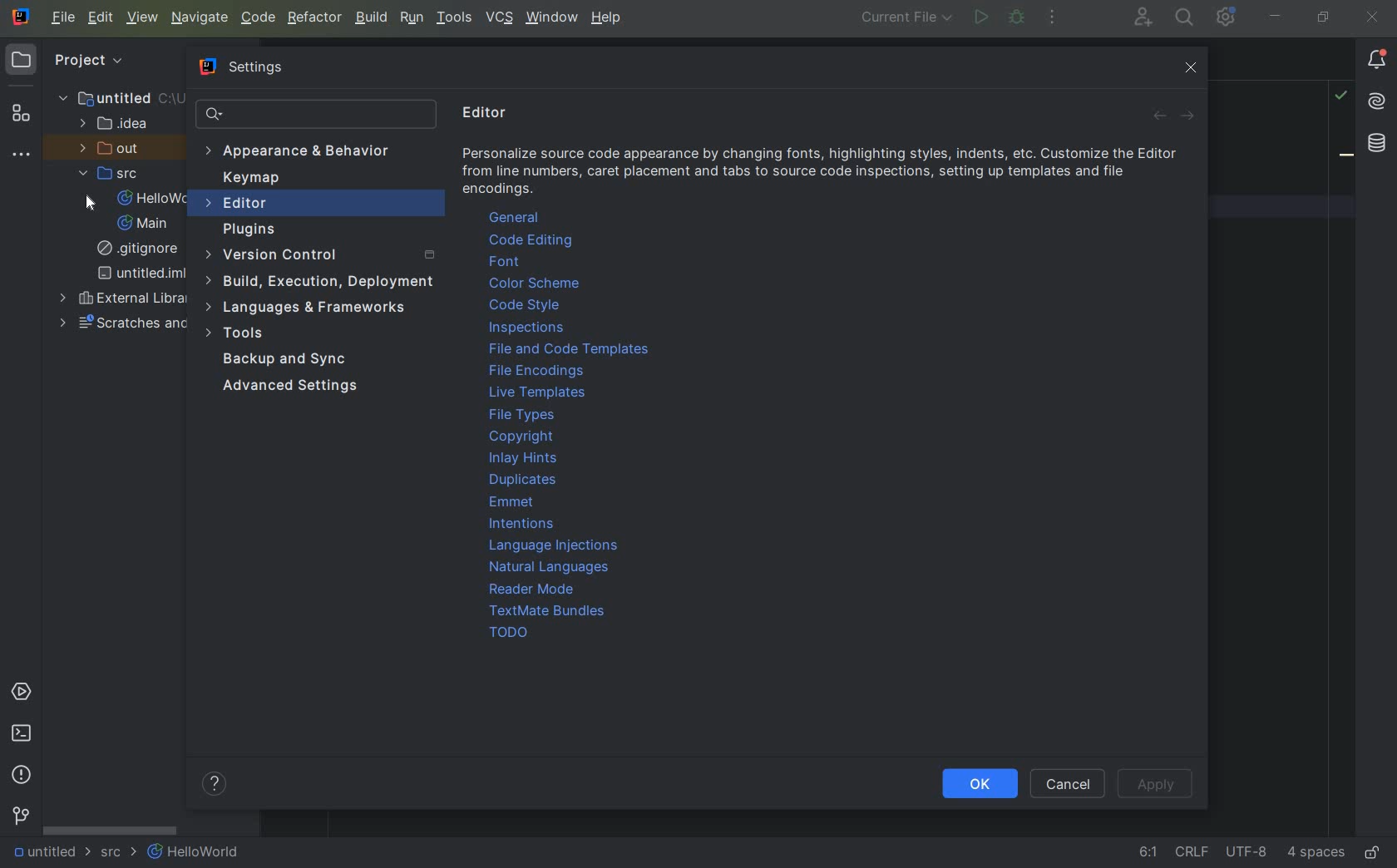 The width and height of the screenshot is (1397, 868). Describe the element at coordinates (108, 147) in the screenshot. I see `OUT` at that location.